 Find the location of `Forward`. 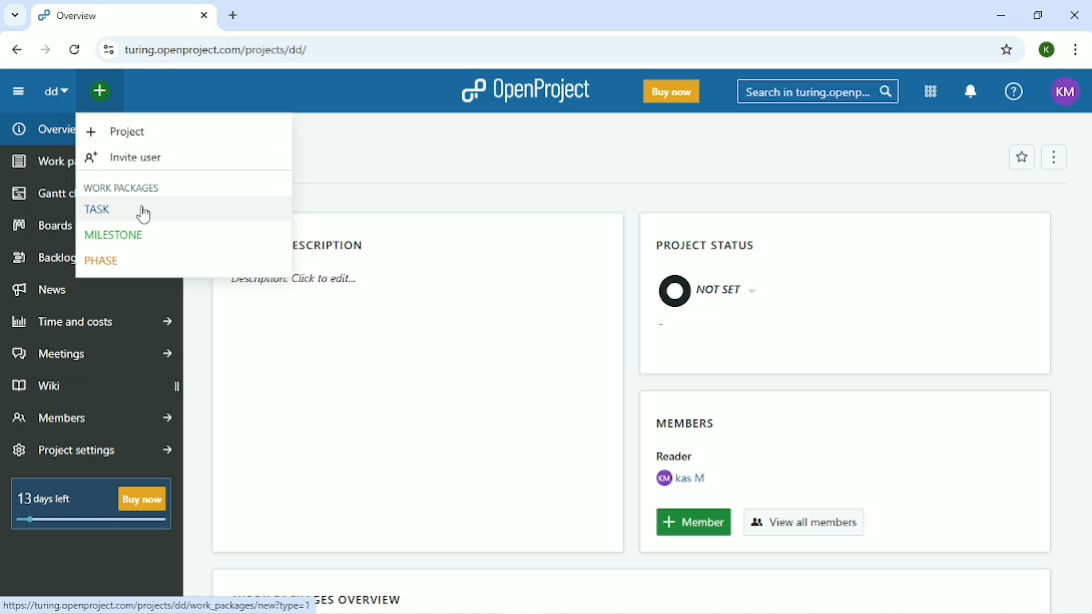

Forward is located at coordinates (45, 49).